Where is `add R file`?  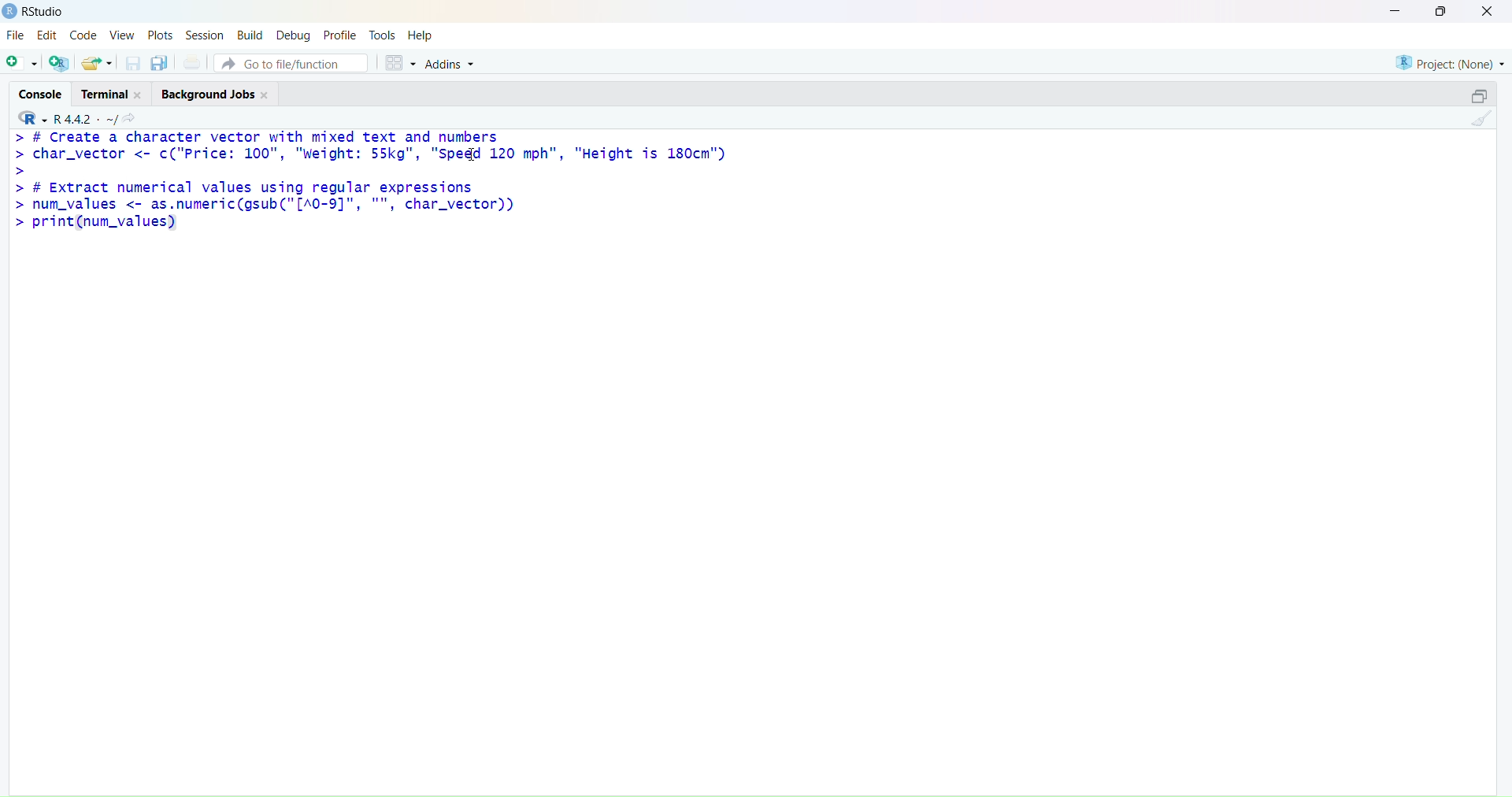 add R file is located at coordinates (59, 63).